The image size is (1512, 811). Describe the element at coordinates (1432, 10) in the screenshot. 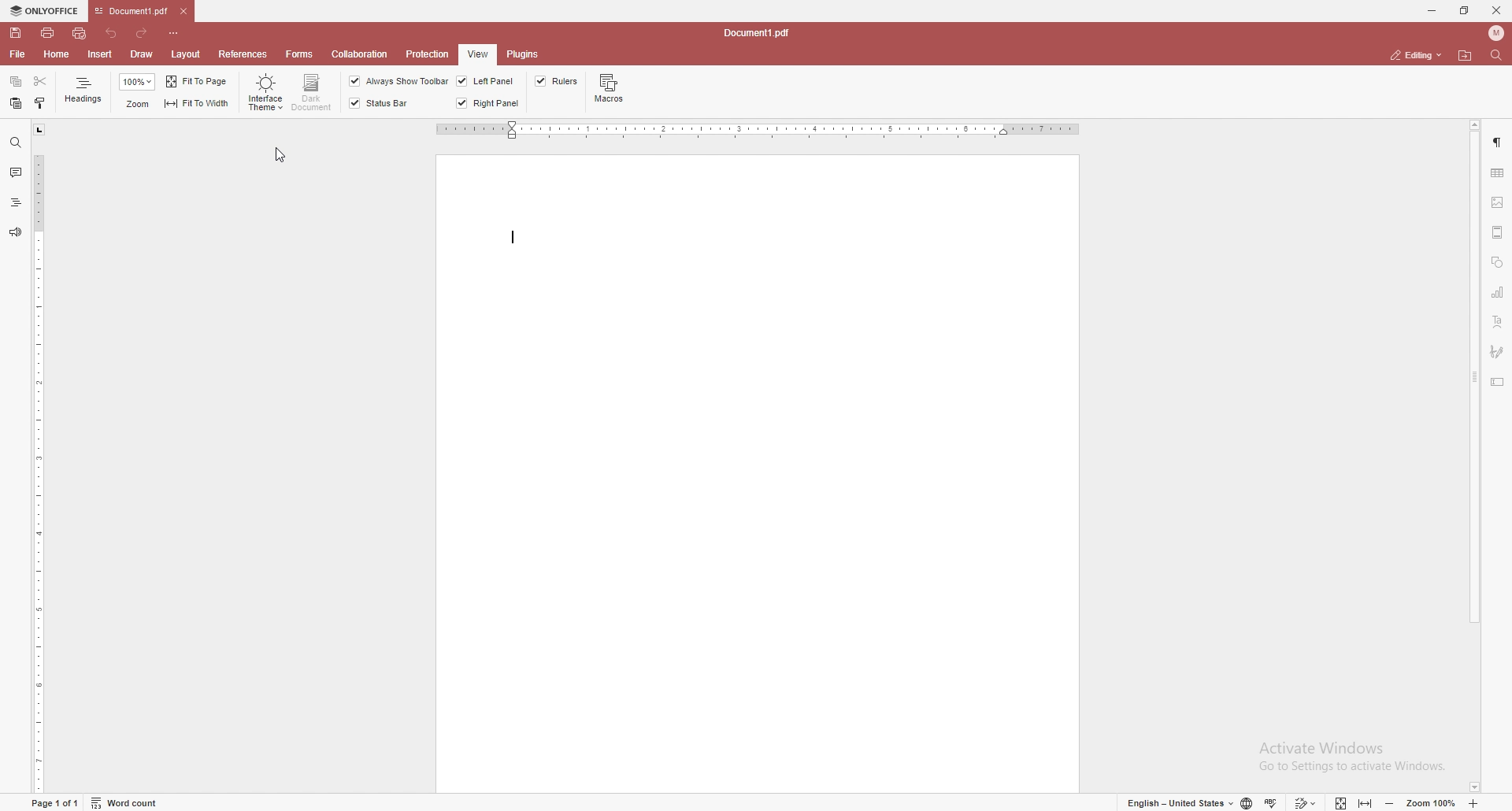

I see `minimize` at that location.